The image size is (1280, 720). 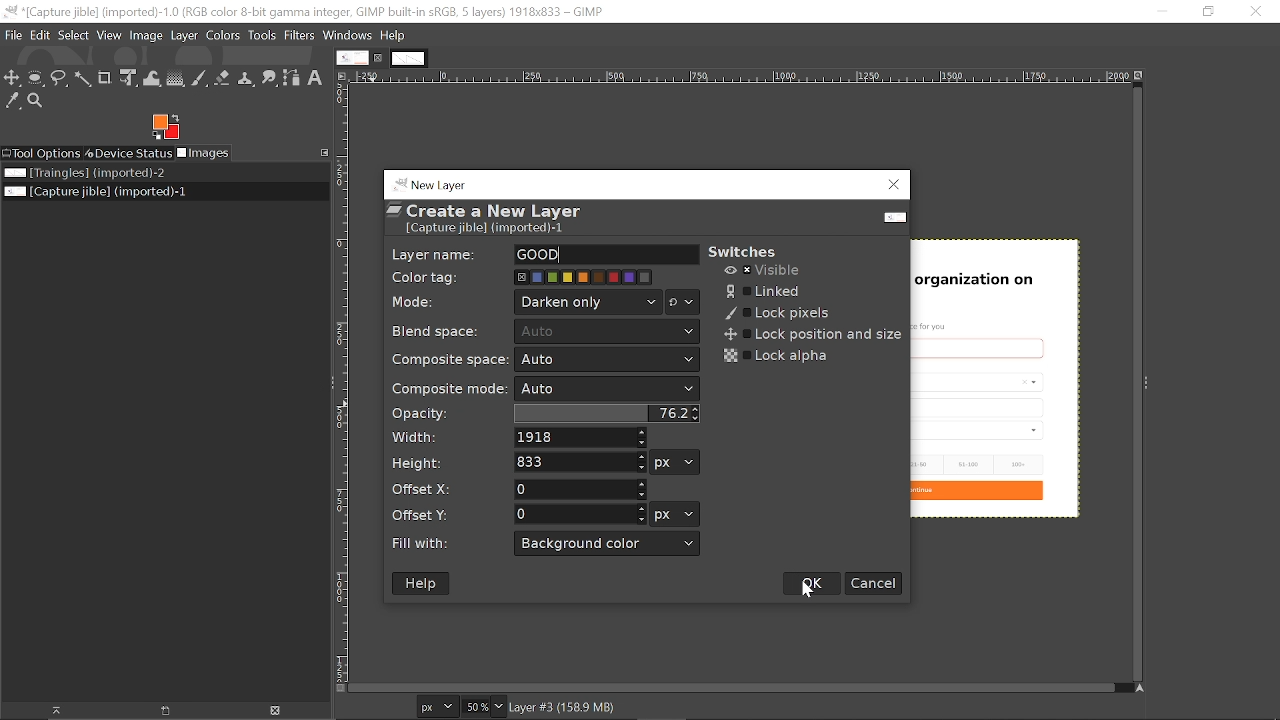 I want to click on Offset Y, so click(x=582, y=514).